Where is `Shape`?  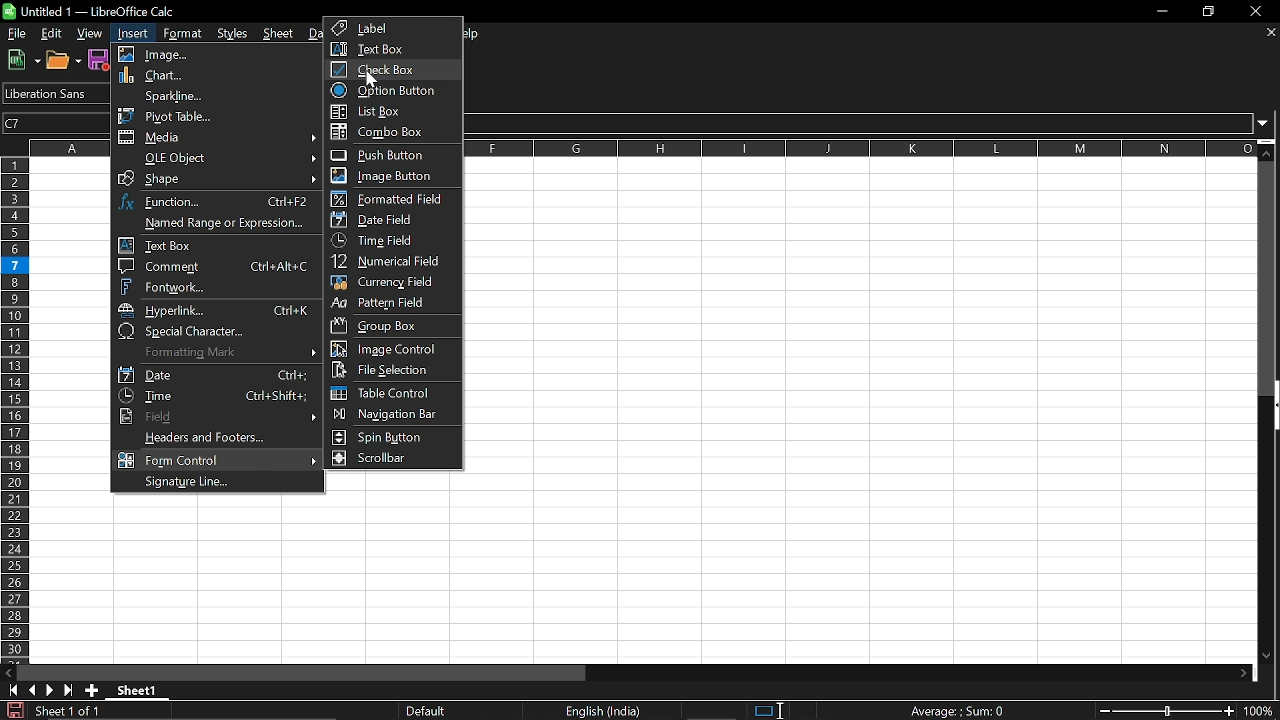 Shape is located at coordinates (218, 179).